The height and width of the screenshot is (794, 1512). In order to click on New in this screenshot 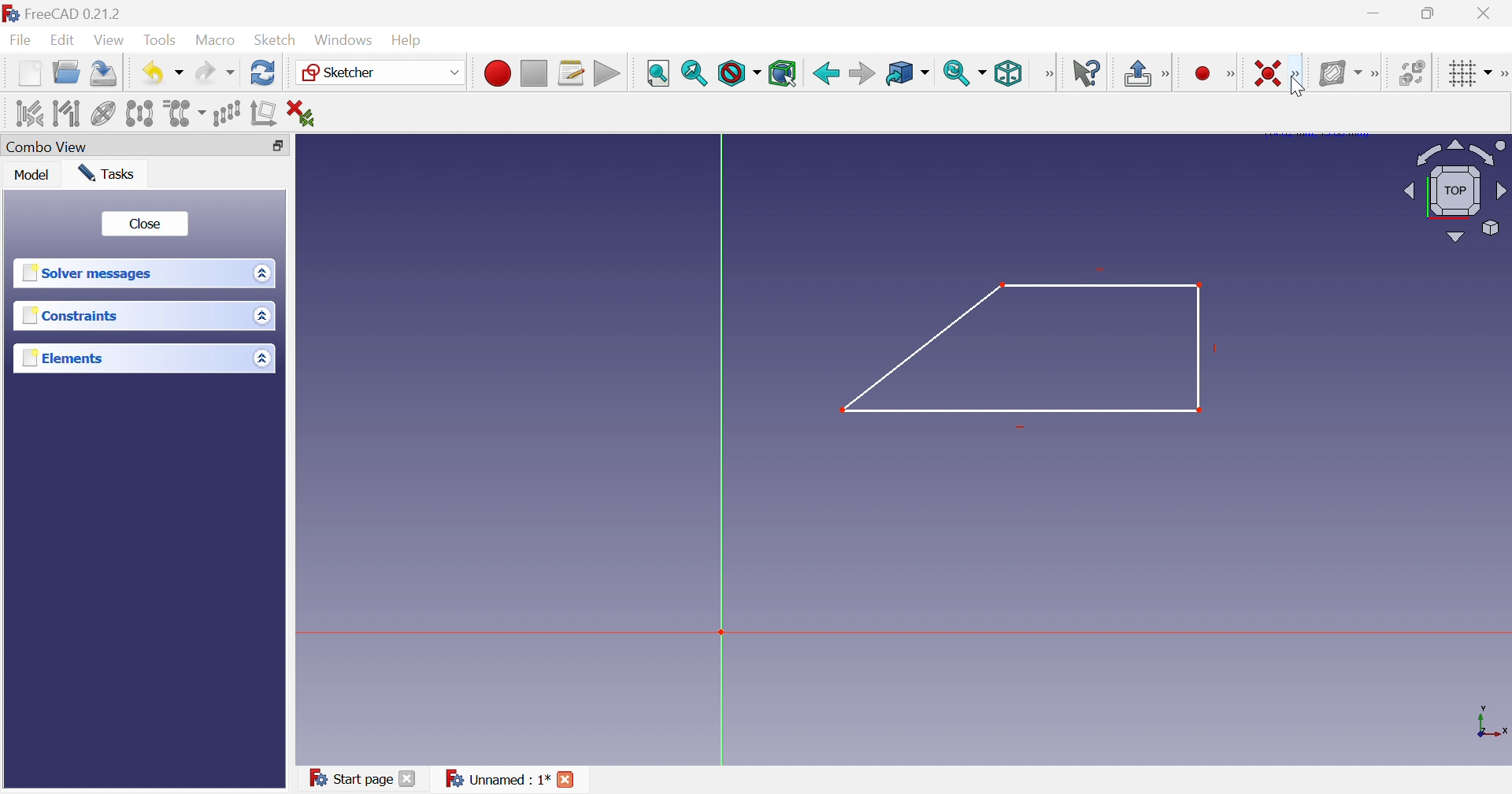, I will do `click(29, 77)`.